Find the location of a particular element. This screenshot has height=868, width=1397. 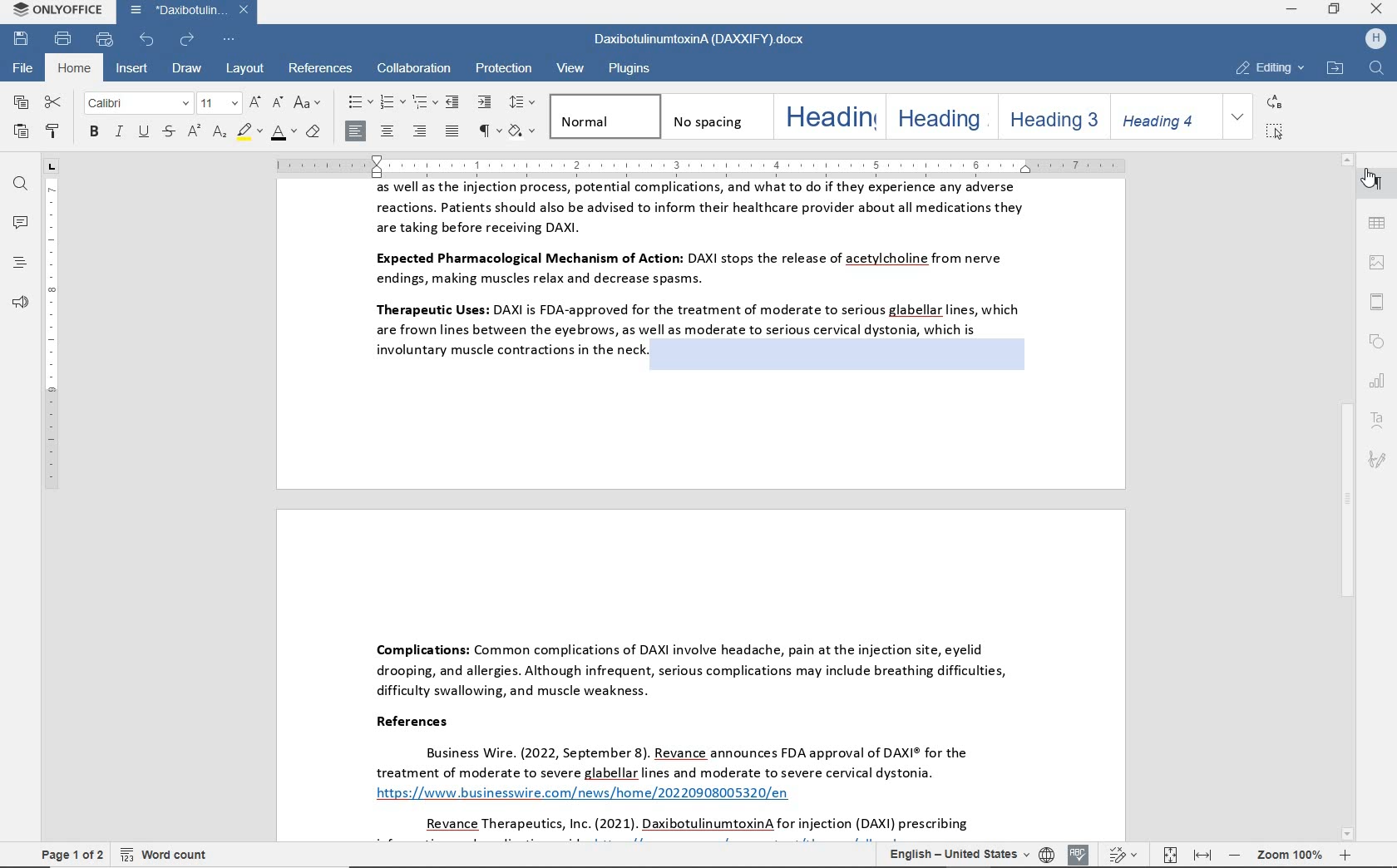

save is located at coordinates (22, 37).